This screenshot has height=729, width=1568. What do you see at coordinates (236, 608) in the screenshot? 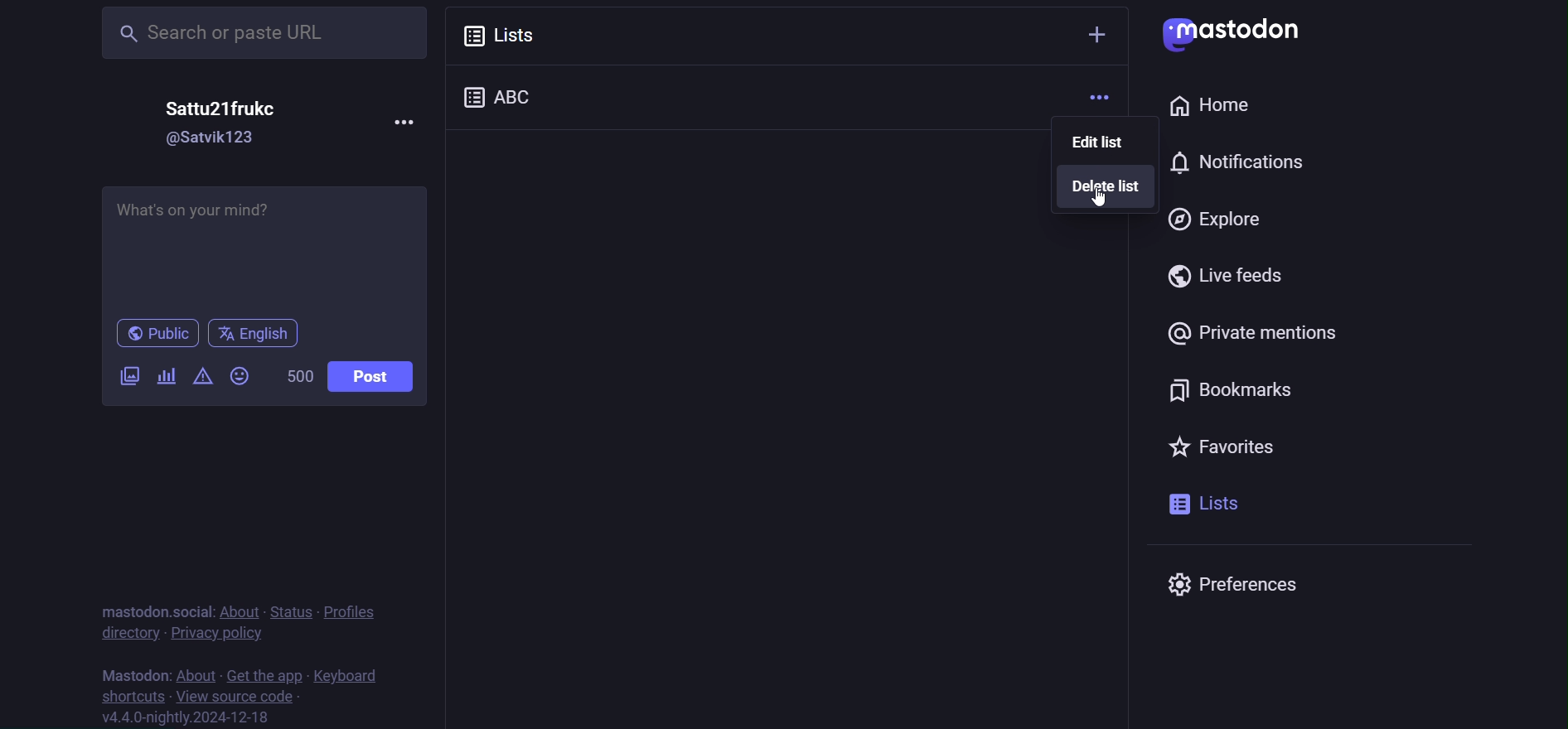
I see `about` at bounding box center [236, 608].